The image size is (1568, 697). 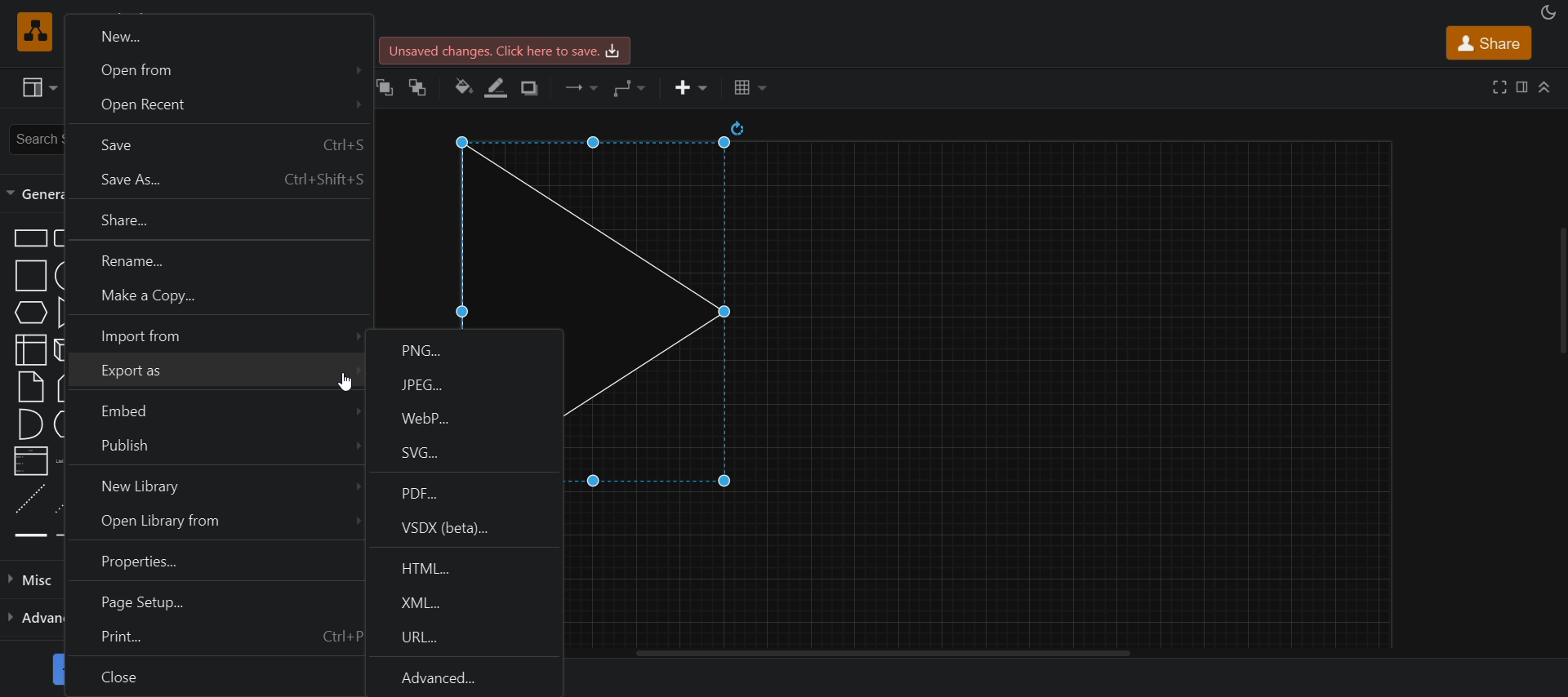 What do you see at coordinates (464, 419) in the screenshot?
I see `webp` at bounding box center [464, 419].